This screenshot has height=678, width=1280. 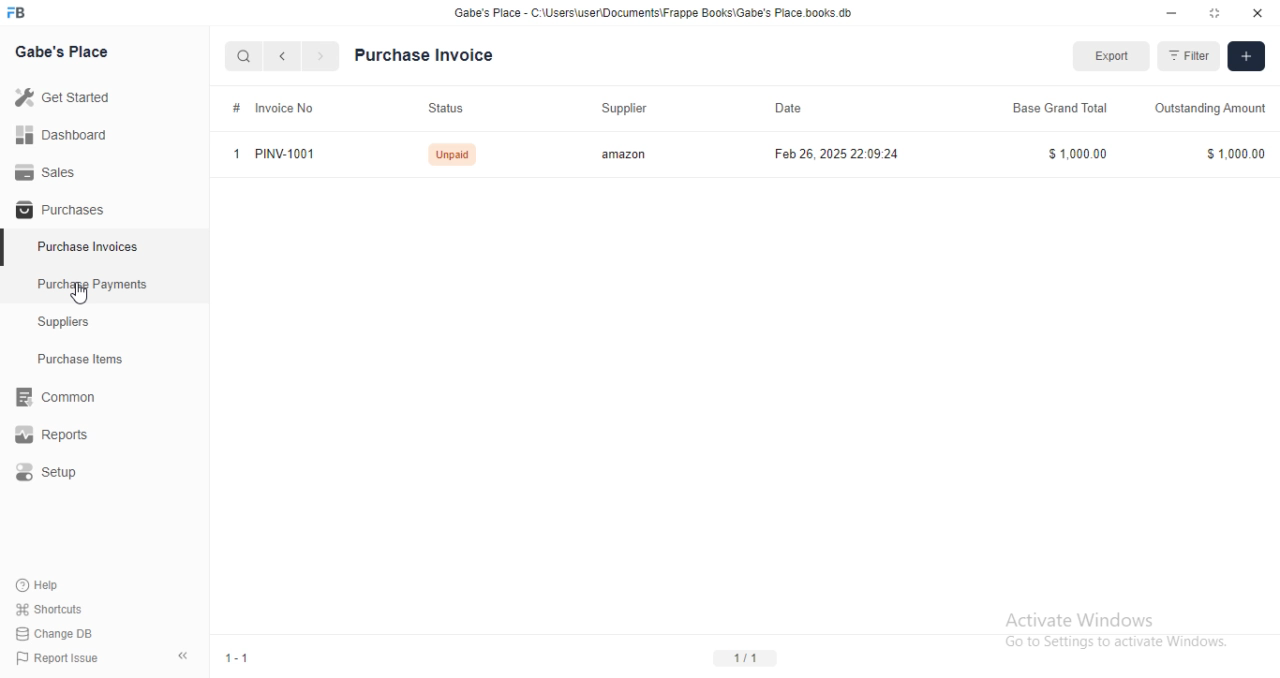 What do you see at coordinates (1212, 109) in the screenshot?
I see `‘Outstanding Amount` at bounding box center [1212, 109].